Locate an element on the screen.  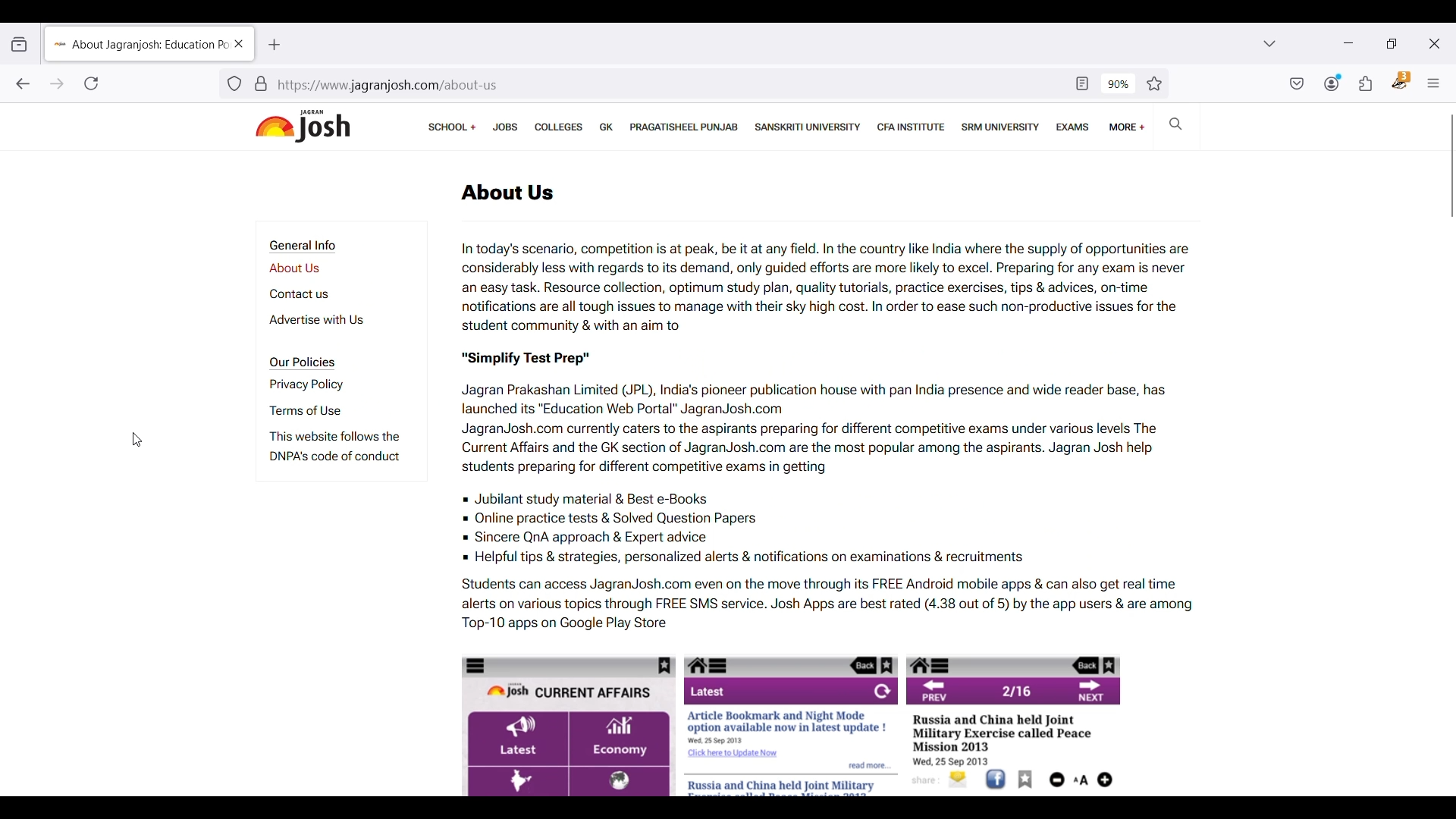
Advertise with us page is located at coordinates (337, 320).